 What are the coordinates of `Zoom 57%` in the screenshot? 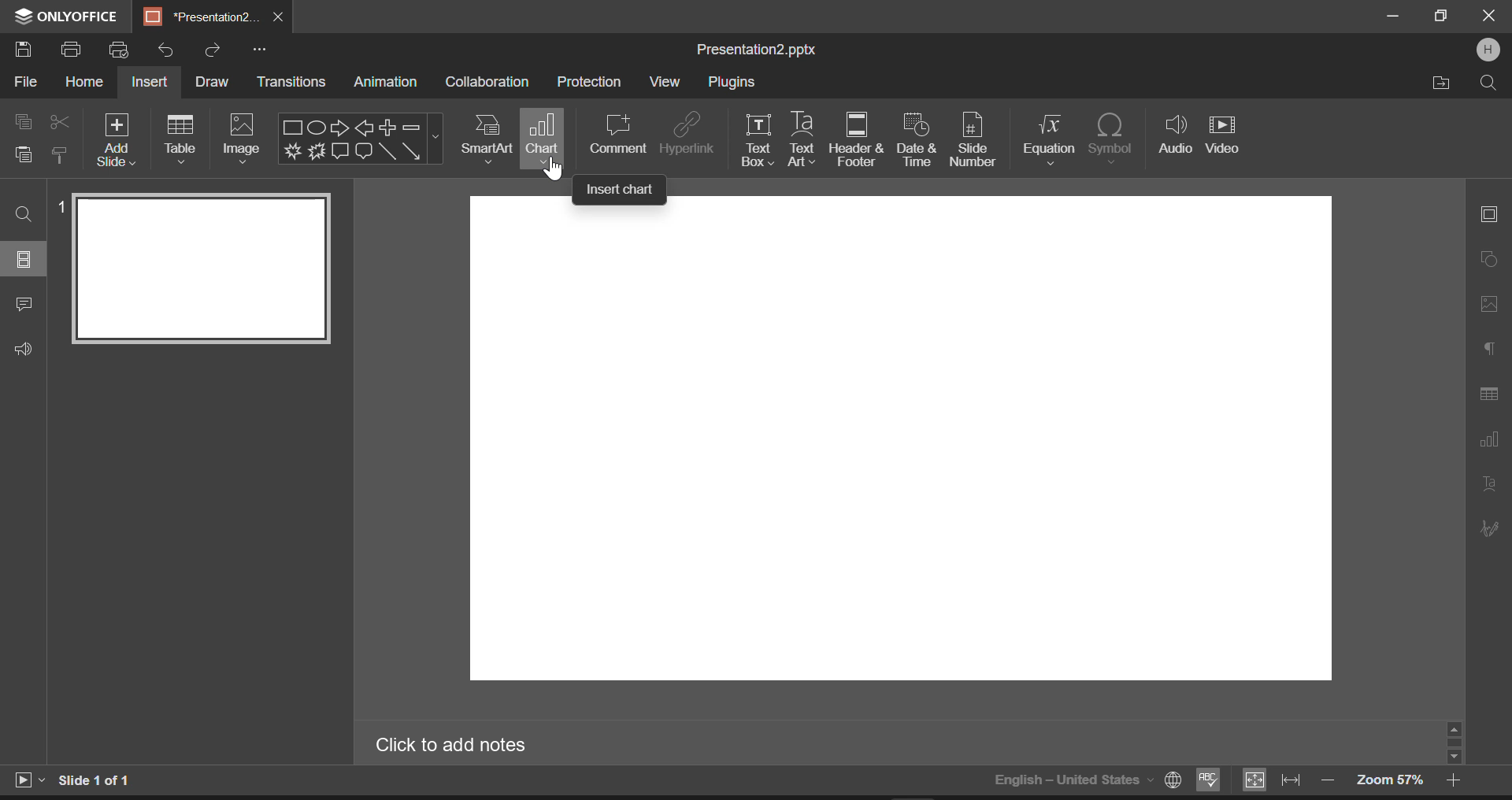 It's located at (1390, 780).